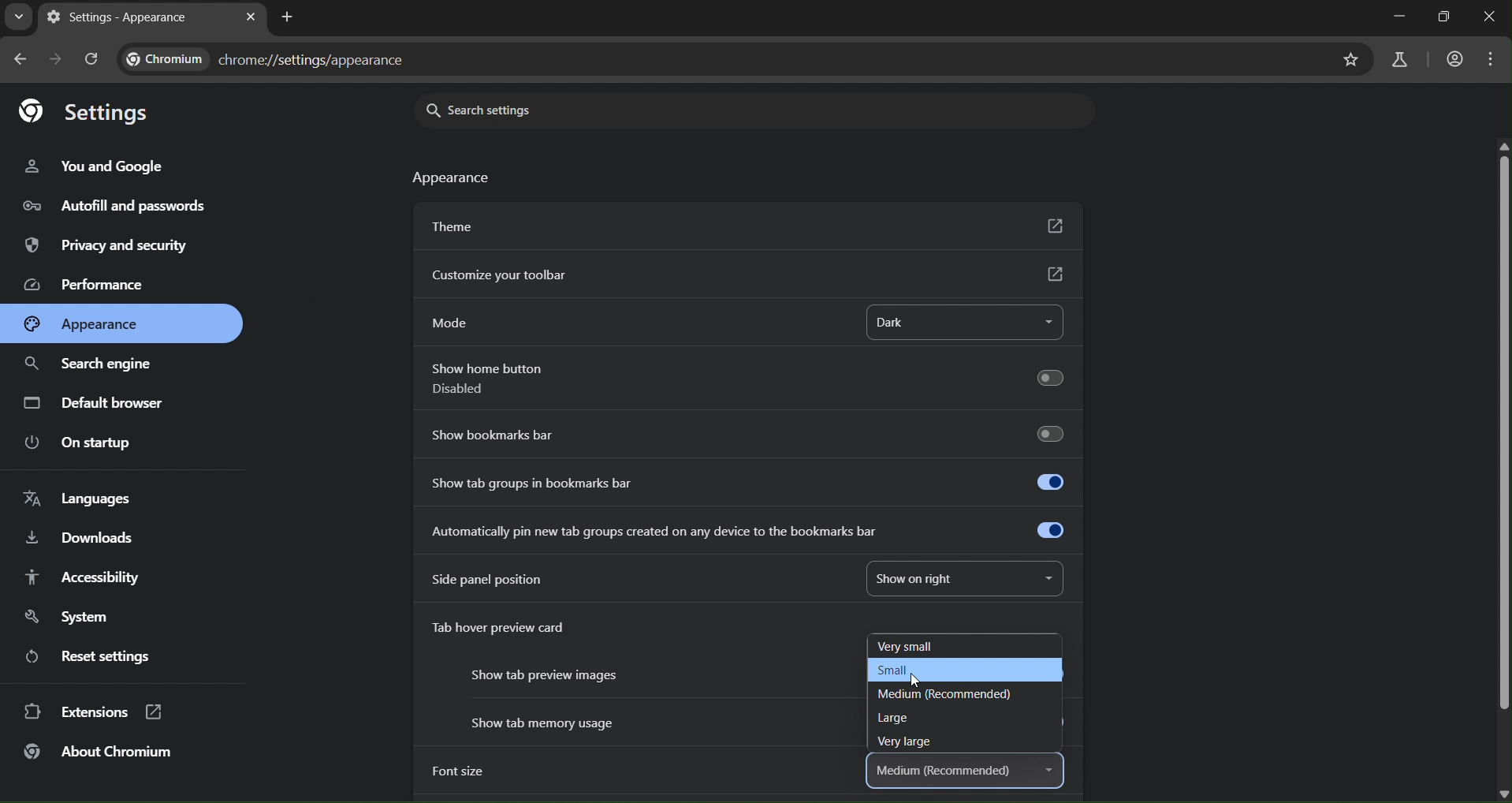 This screenshot has height=803, width=1512. What do you see at coordinates (456, 319) in the screenshot?
I see `mode` at bounding box center [456, 319].